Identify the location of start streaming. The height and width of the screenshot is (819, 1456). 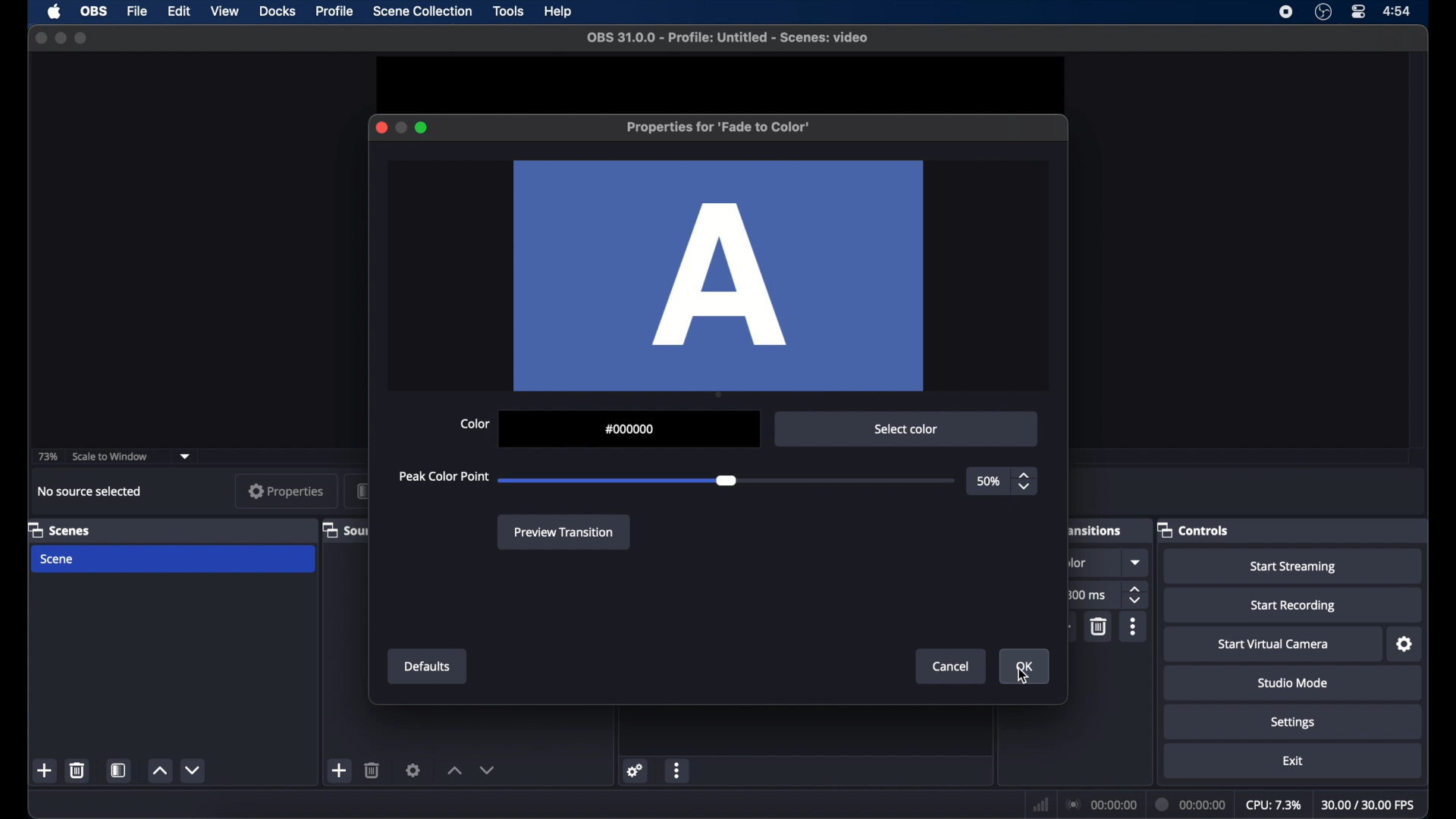
(1294, 567).